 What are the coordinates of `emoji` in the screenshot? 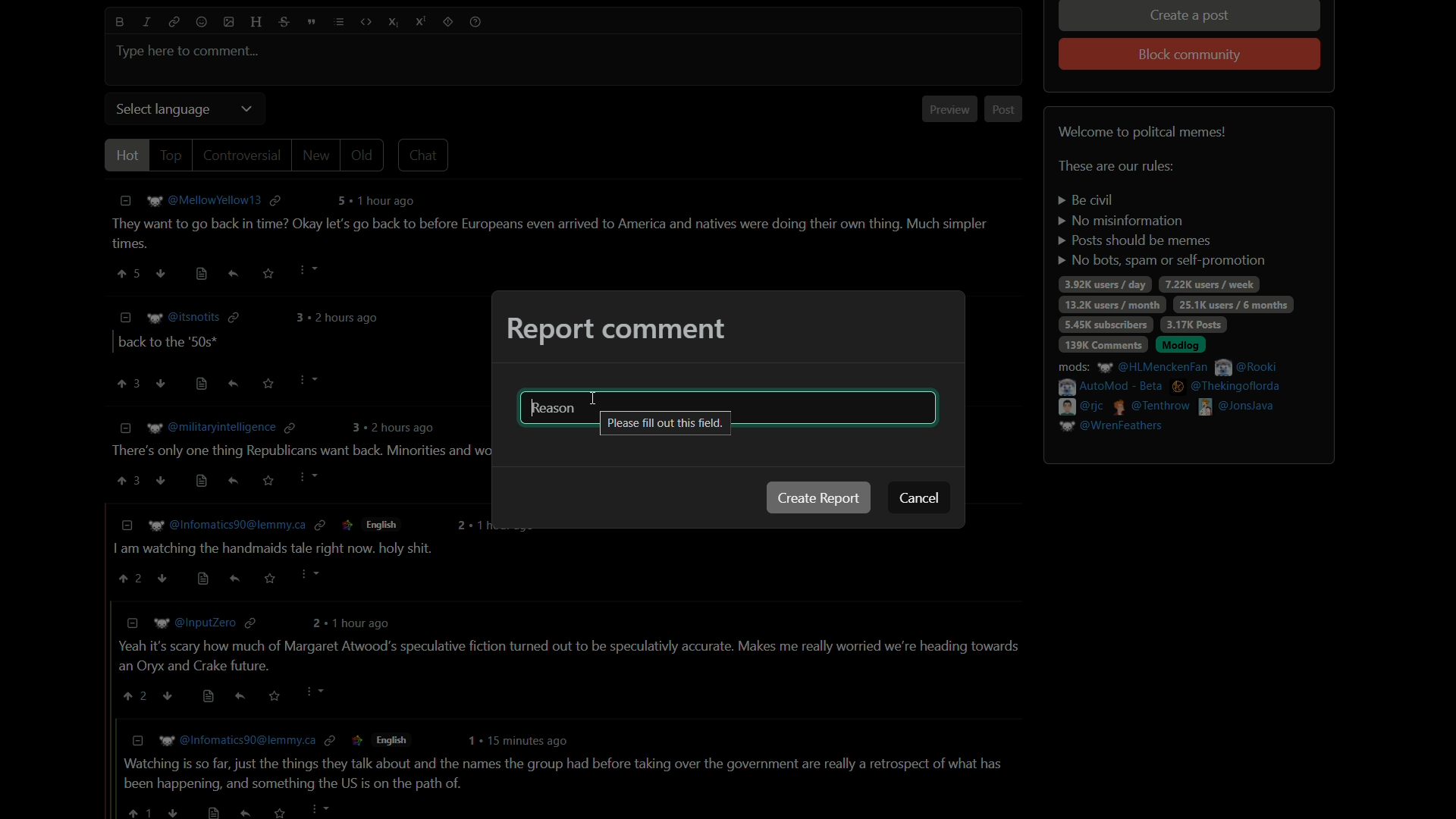 It's located at (202, 23).